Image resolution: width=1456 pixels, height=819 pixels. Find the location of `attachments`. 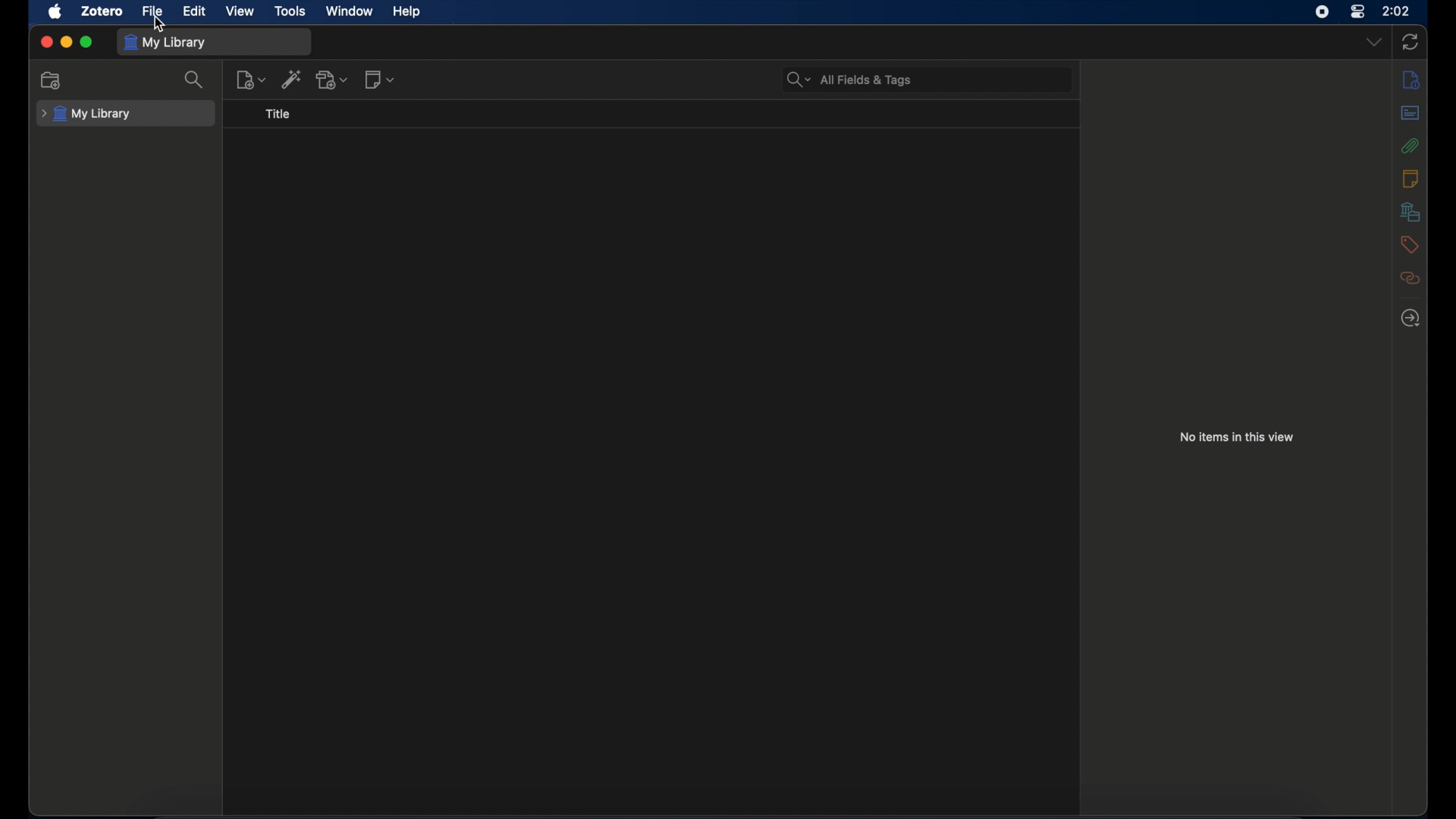

attachments is located at coordinates (1410, 146).